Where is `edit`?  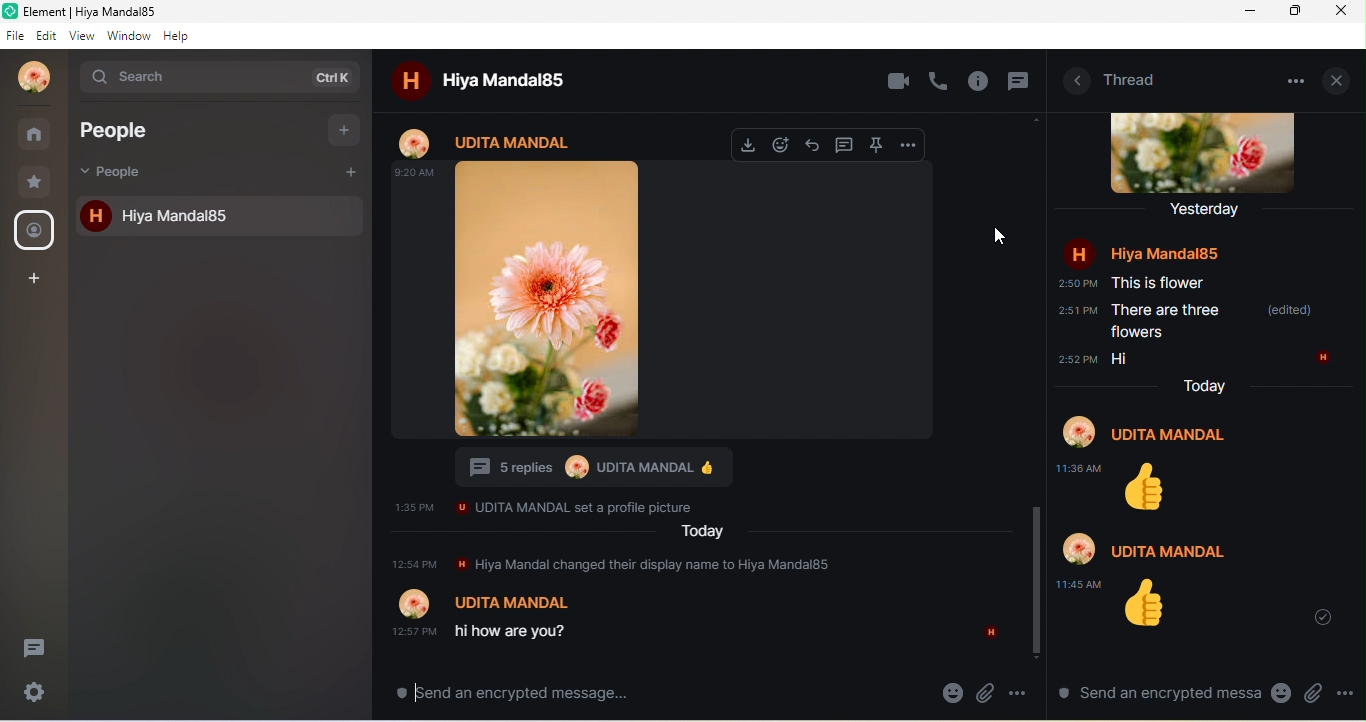
edit is located at coordinates (47, 35).